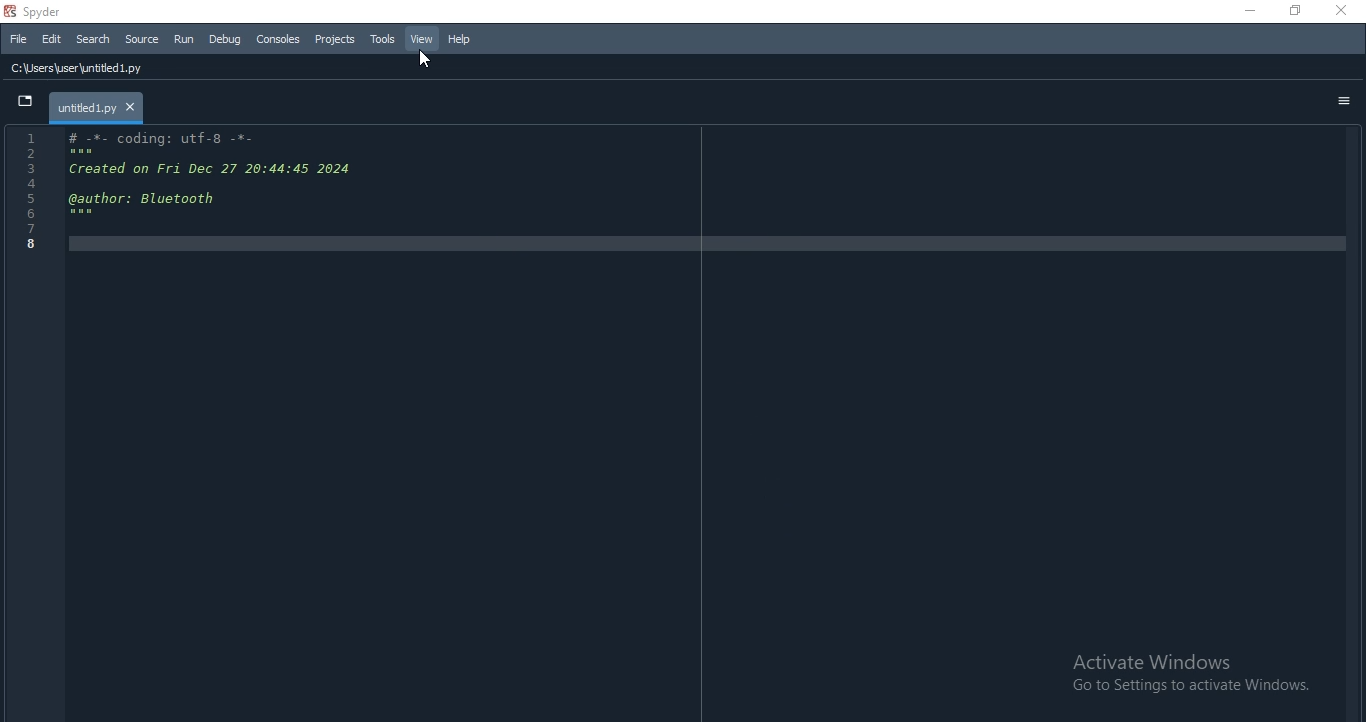  What do you see at coordinates (277, 37) in the screenshot?
I see `Consoles` at bounding box center [277, 37].